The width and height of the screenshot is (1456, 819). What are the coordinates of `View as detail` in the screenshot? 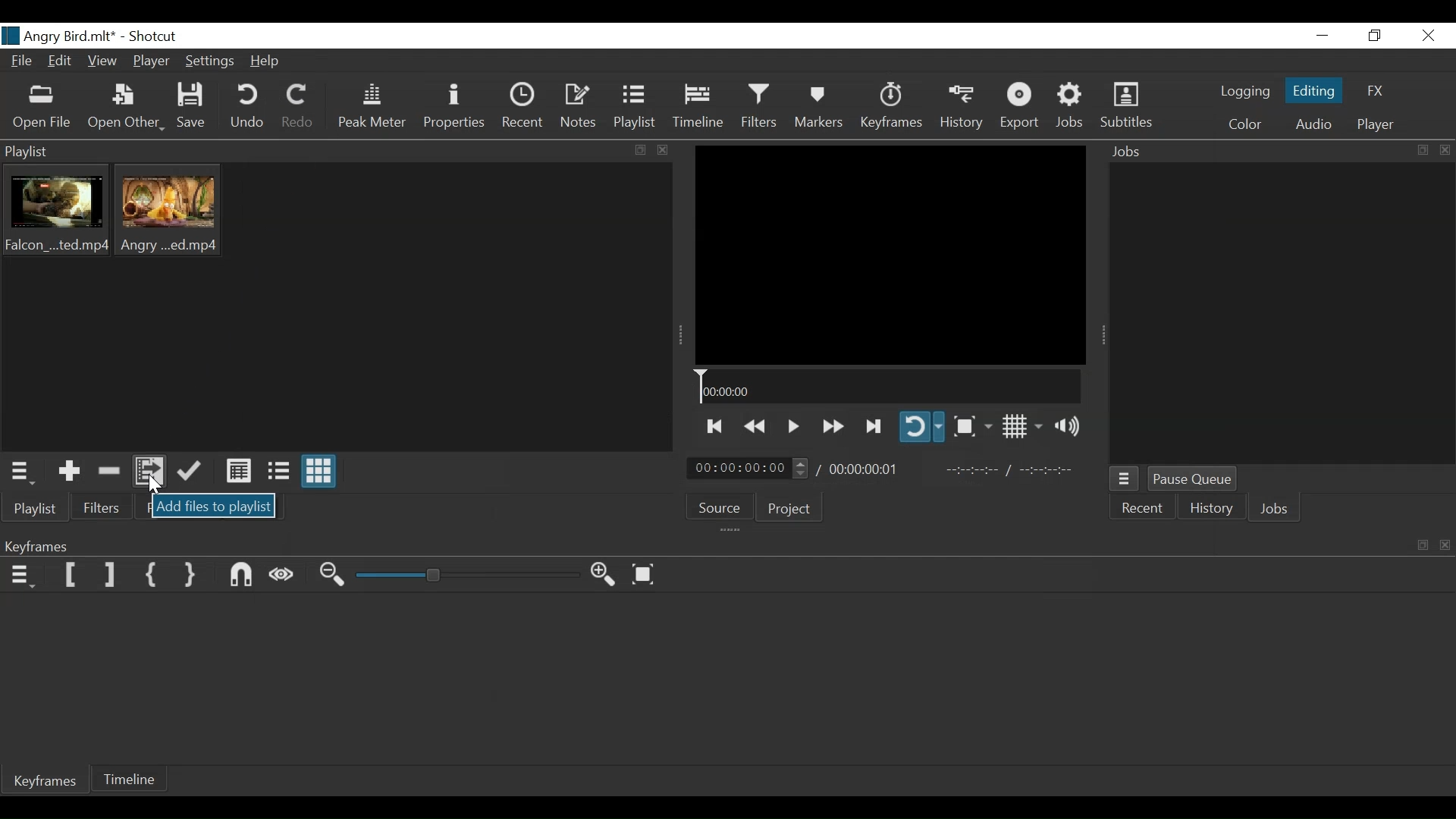 It's located at (236, 474).